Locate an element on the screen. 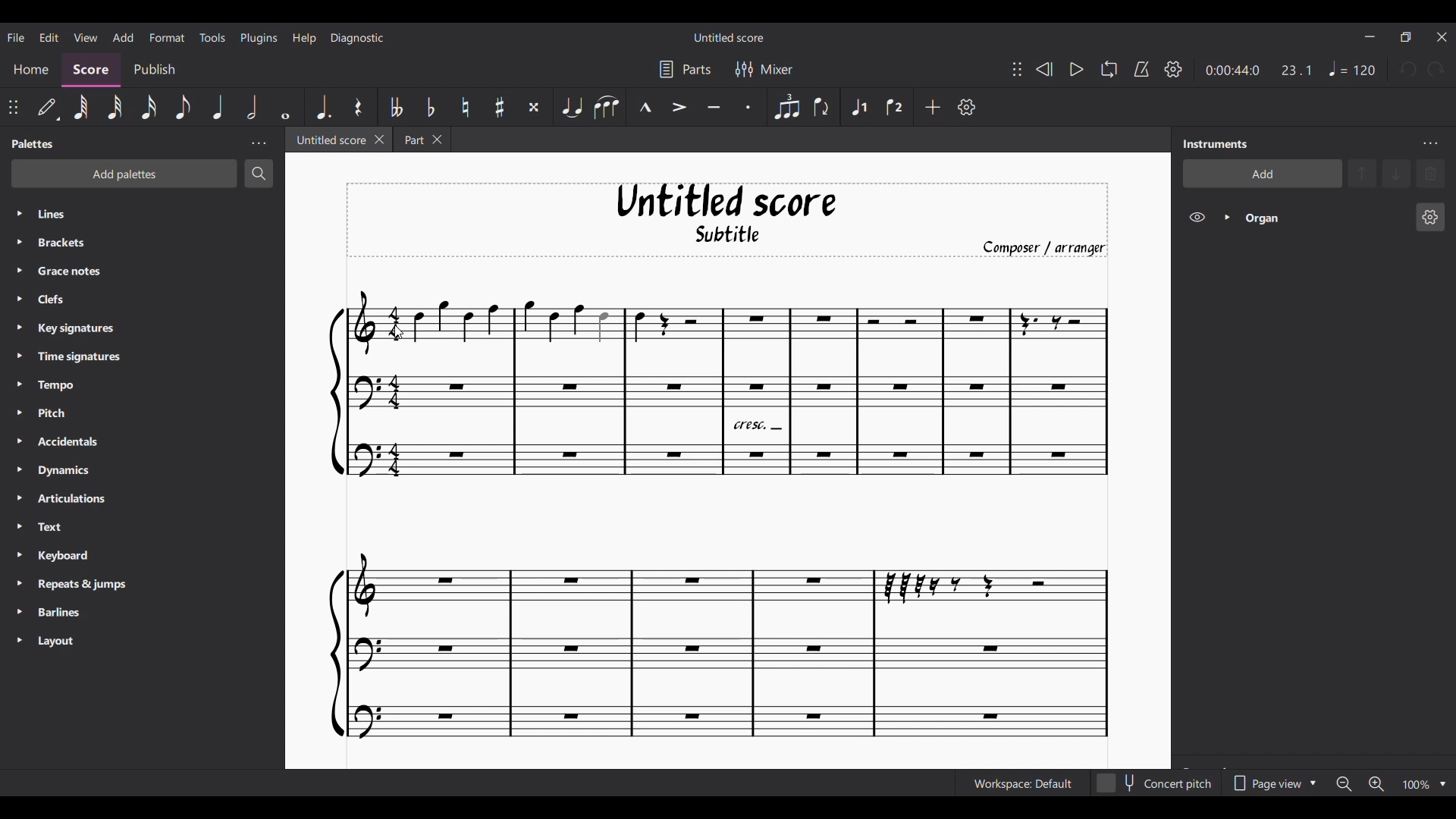 The image size is (1456, 819). 32nd note is located at coordinates (115, 108).